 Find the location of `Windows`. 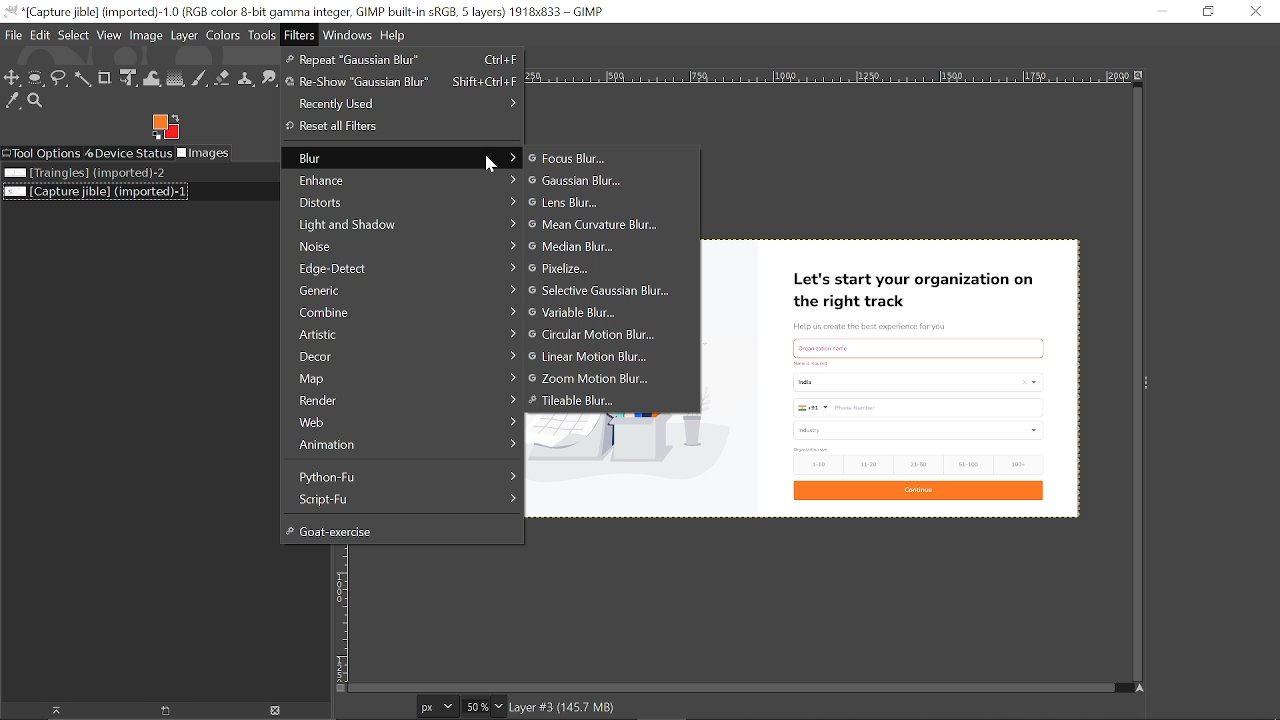

Windows is located at coordinates (349, 35).